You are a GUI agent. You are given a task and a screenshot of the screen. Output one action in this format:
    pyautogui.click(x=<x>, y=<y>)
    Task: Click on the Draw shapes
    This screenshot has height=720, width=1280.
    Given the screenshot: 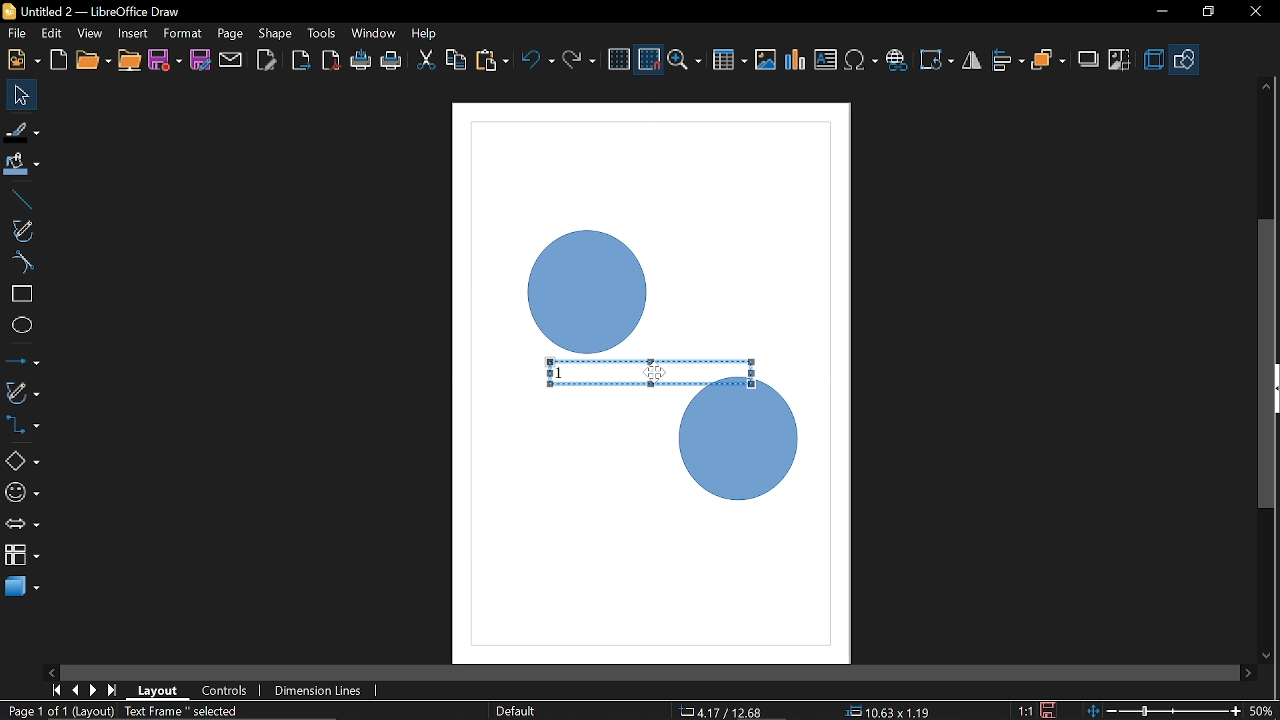 What is the action you would take?
    pyautogui.click(x=1185, y=60)
    